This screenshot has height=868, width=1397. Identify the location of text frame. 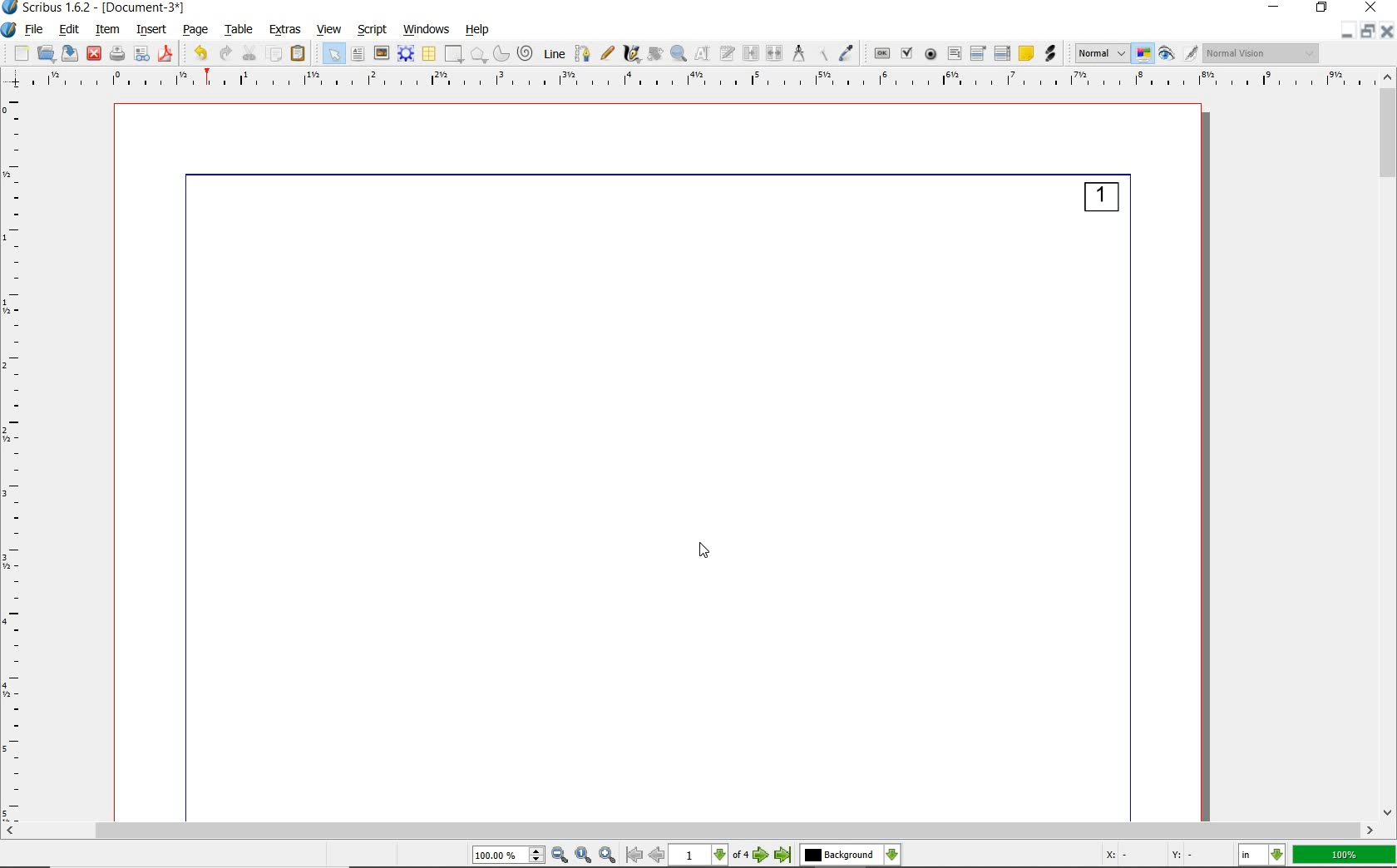
(357, 55).